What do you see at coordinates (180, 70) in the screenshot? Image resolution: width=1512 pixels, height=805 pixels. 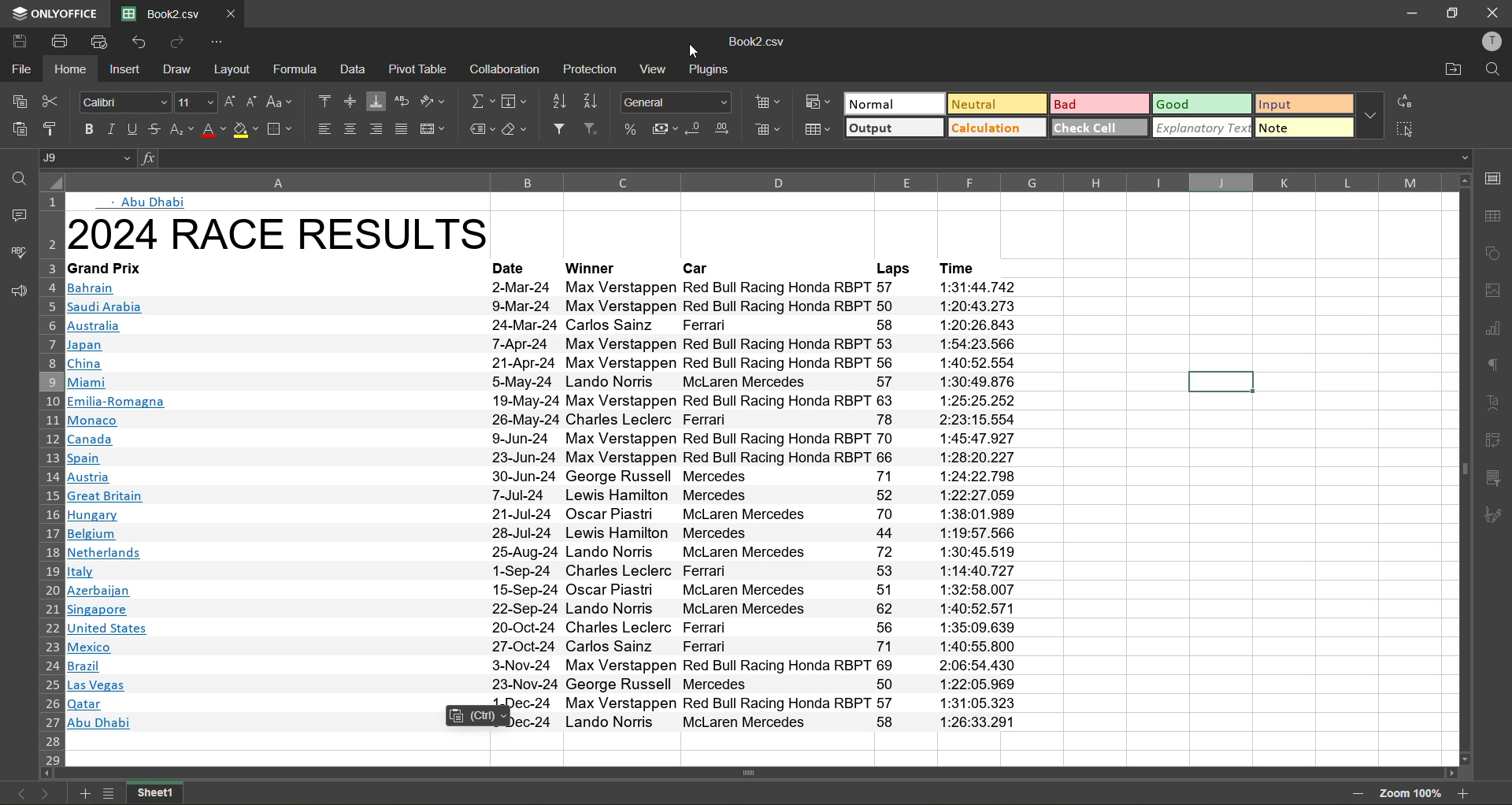 I see `draw` at bounding box center [180, 70].